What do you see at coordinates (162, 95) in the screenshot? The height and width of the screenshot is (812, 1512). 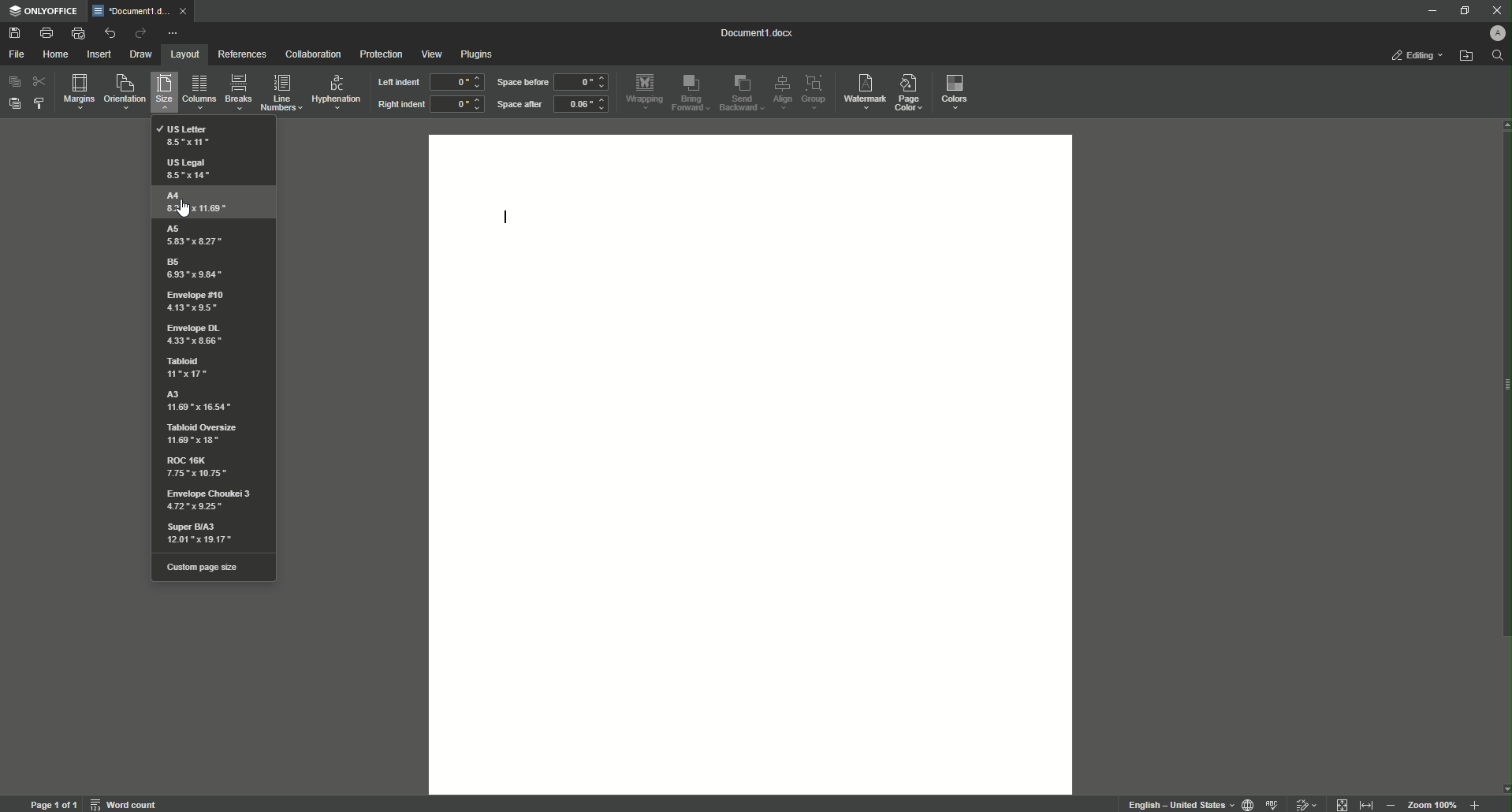 I see `Size` at bounding box center [162, 95].